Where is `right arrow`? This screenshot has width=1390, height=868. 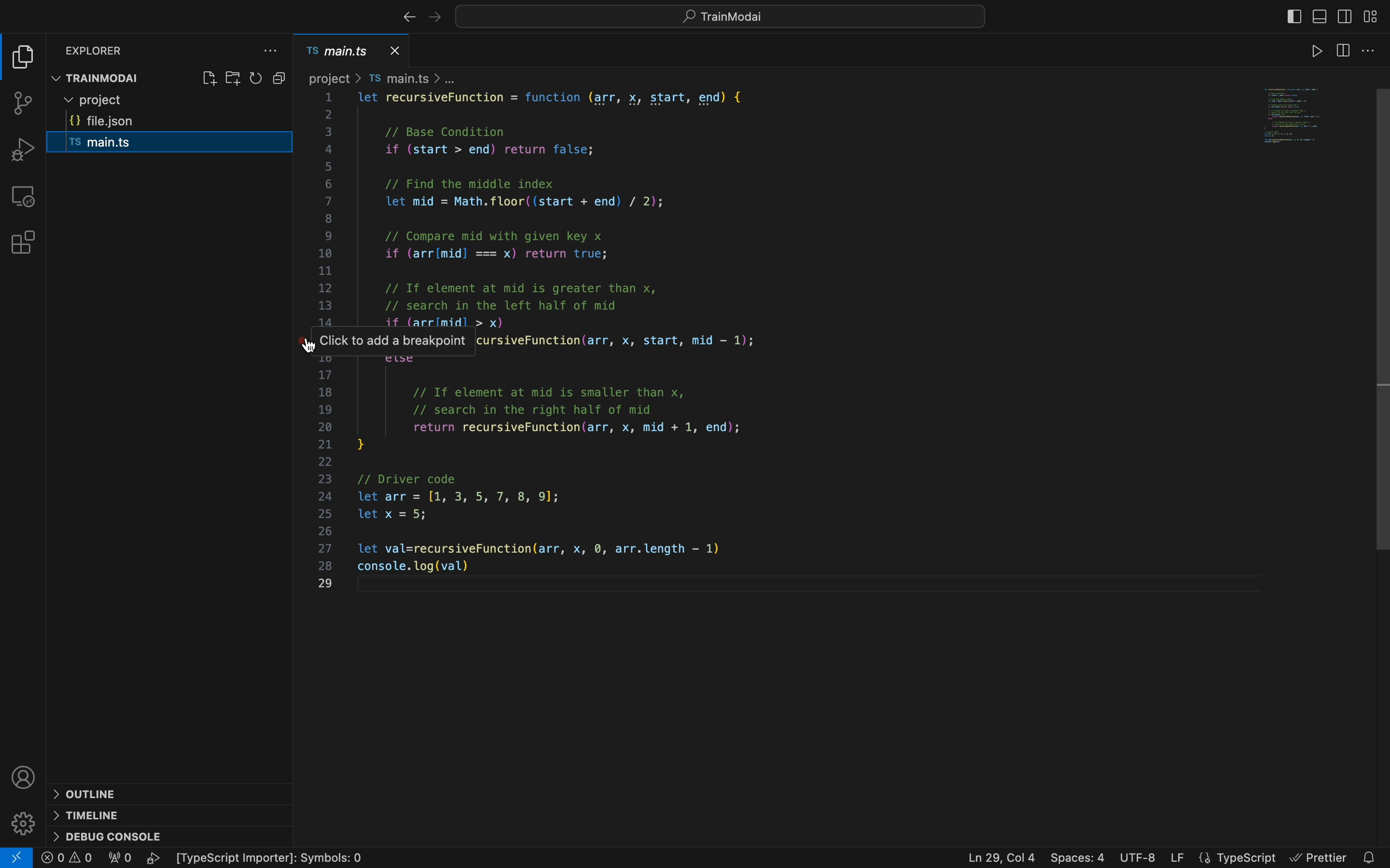
right arrow is located at coordinates (401, 16).